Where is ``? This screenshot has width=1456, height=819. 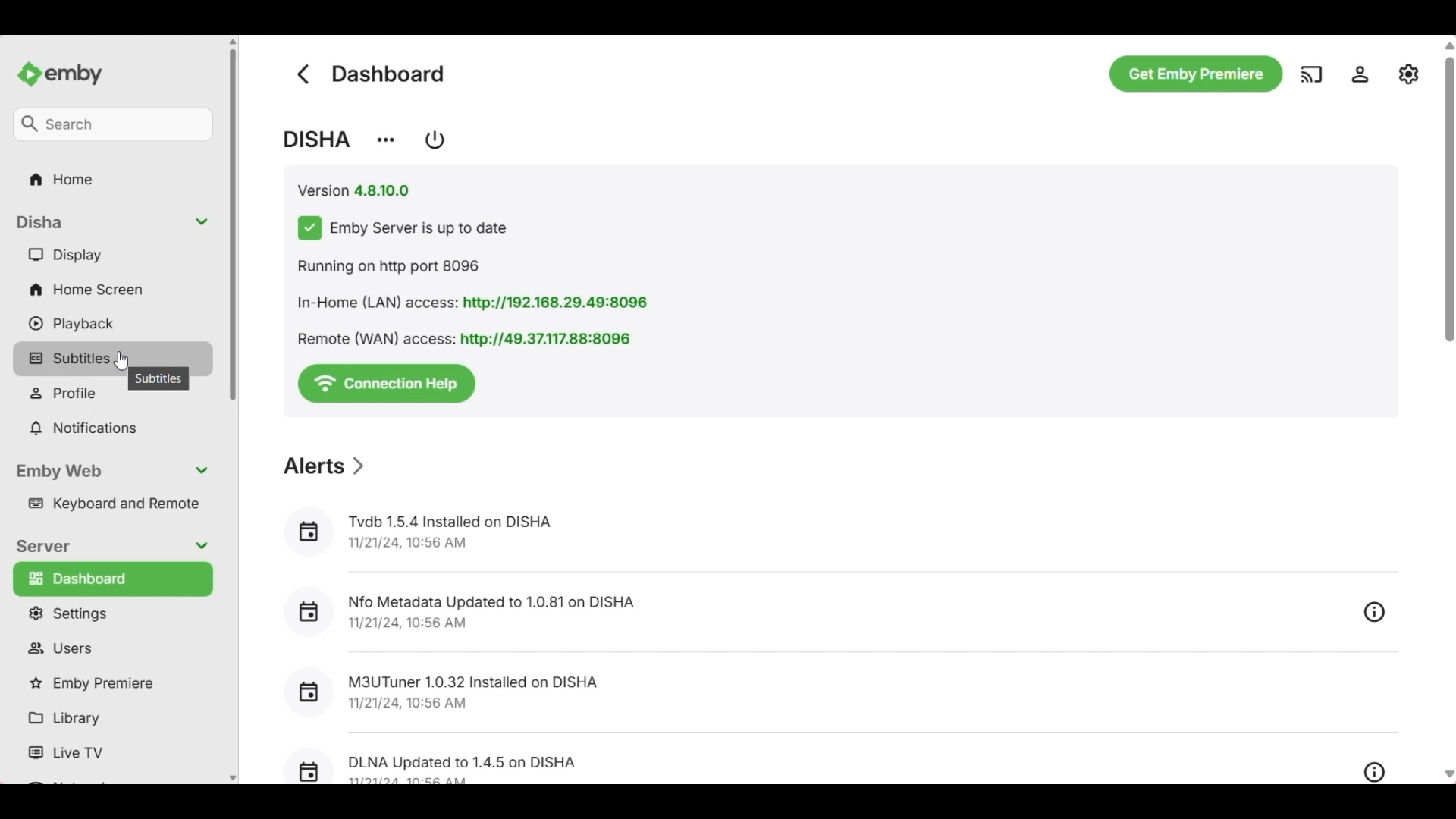
 is located at coordinates (1449, 774).